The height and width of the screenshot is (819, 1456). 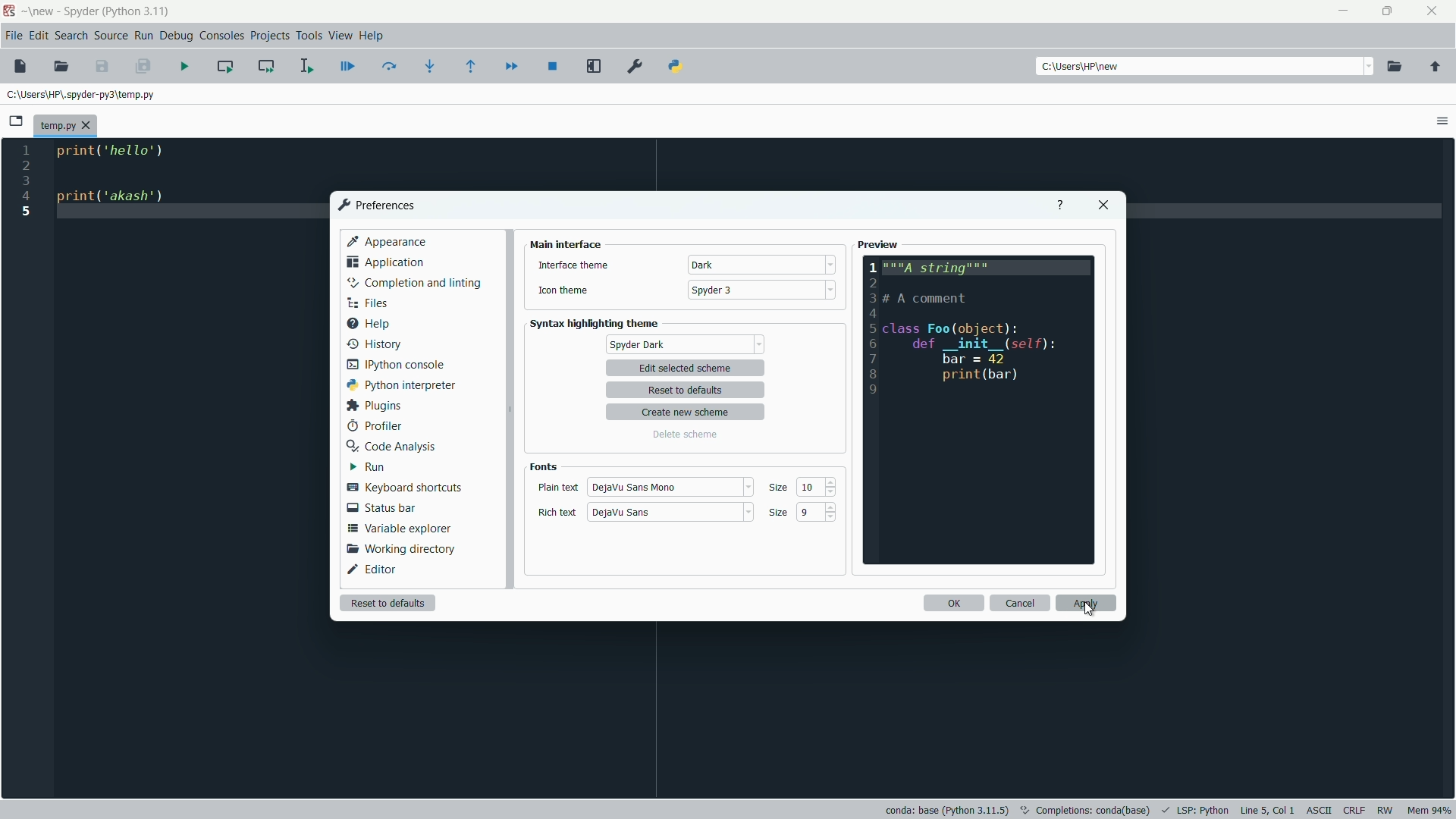 I want to click on line numbers, so click(x=26, y=181).